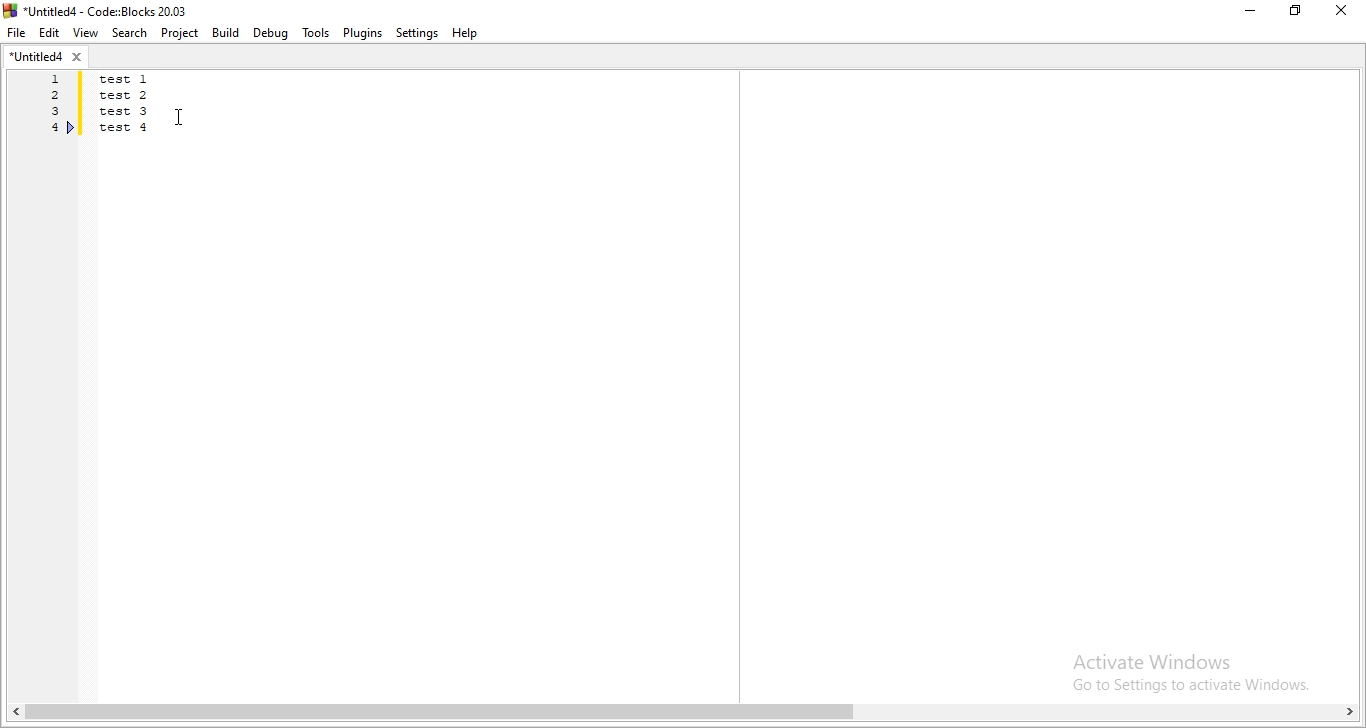  Describe the element at coordinates (128, 96) in the screenshot. I see ` test 2` at that location.